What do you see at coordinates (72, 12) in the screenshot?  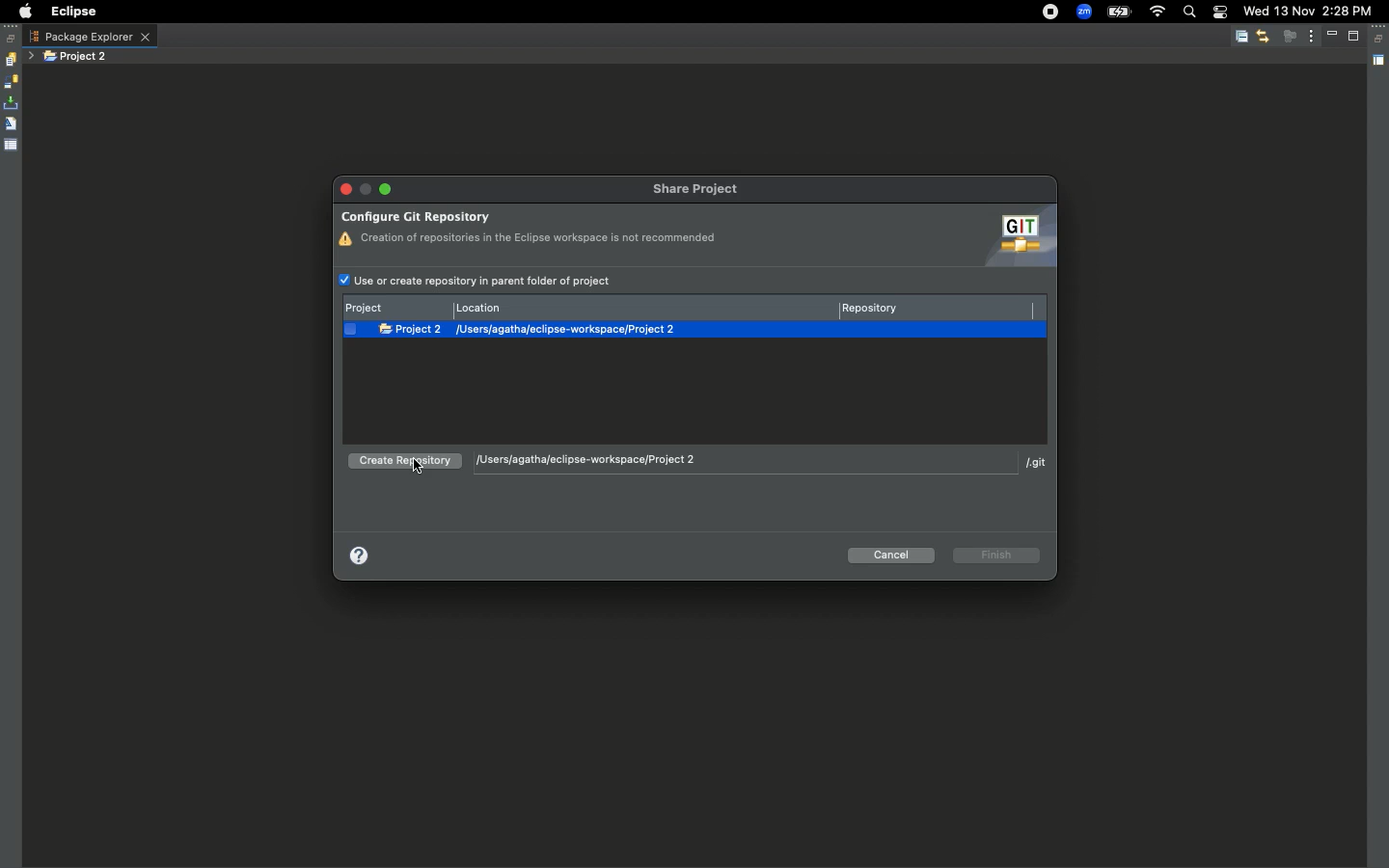 I see `Eclipse` at bounding box center [72, 12].